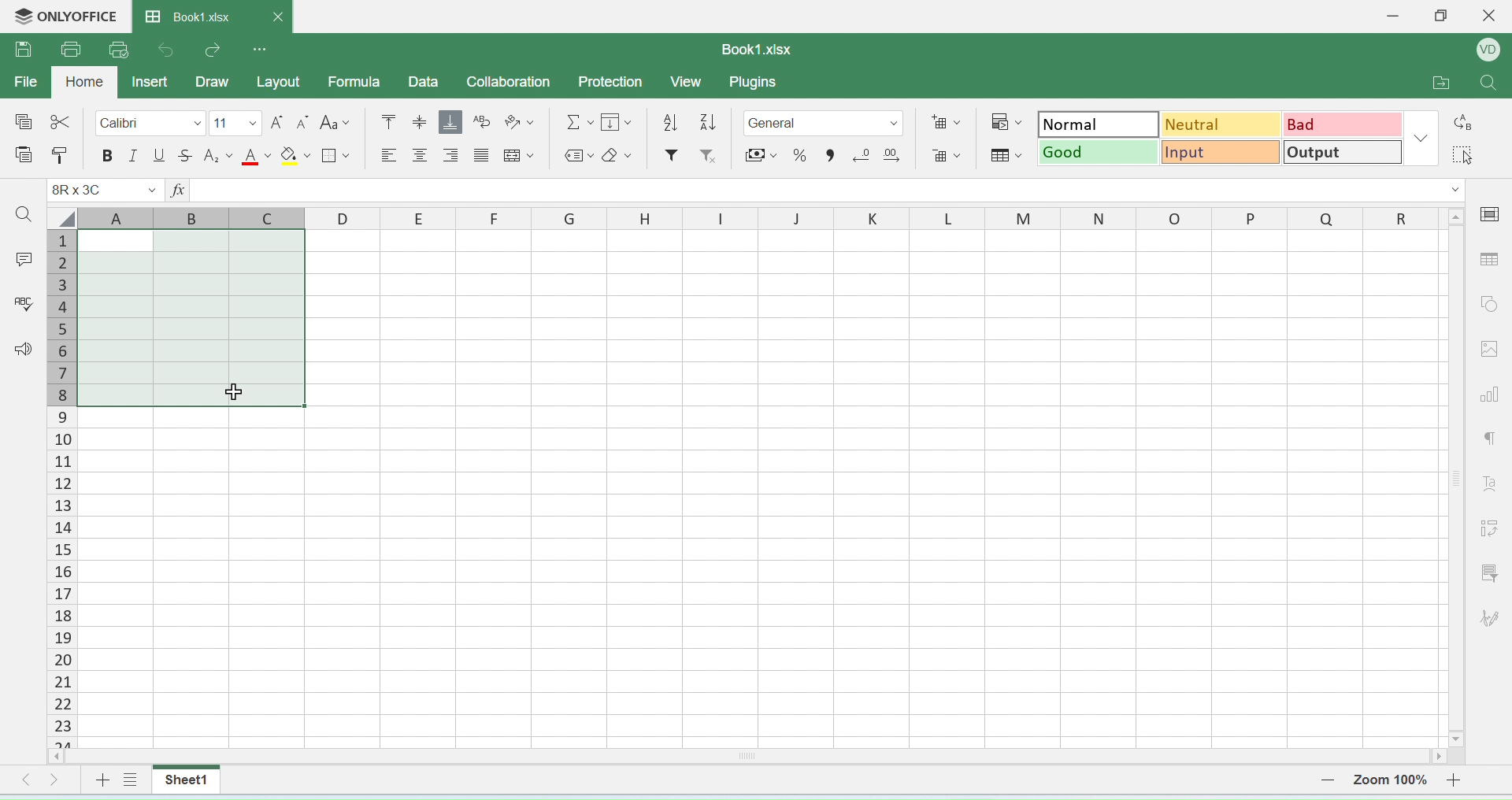 The image size is (1512, 800). Describe the element at coordinates (1490, 302) in the screenshot. I see `shapes` at that location.